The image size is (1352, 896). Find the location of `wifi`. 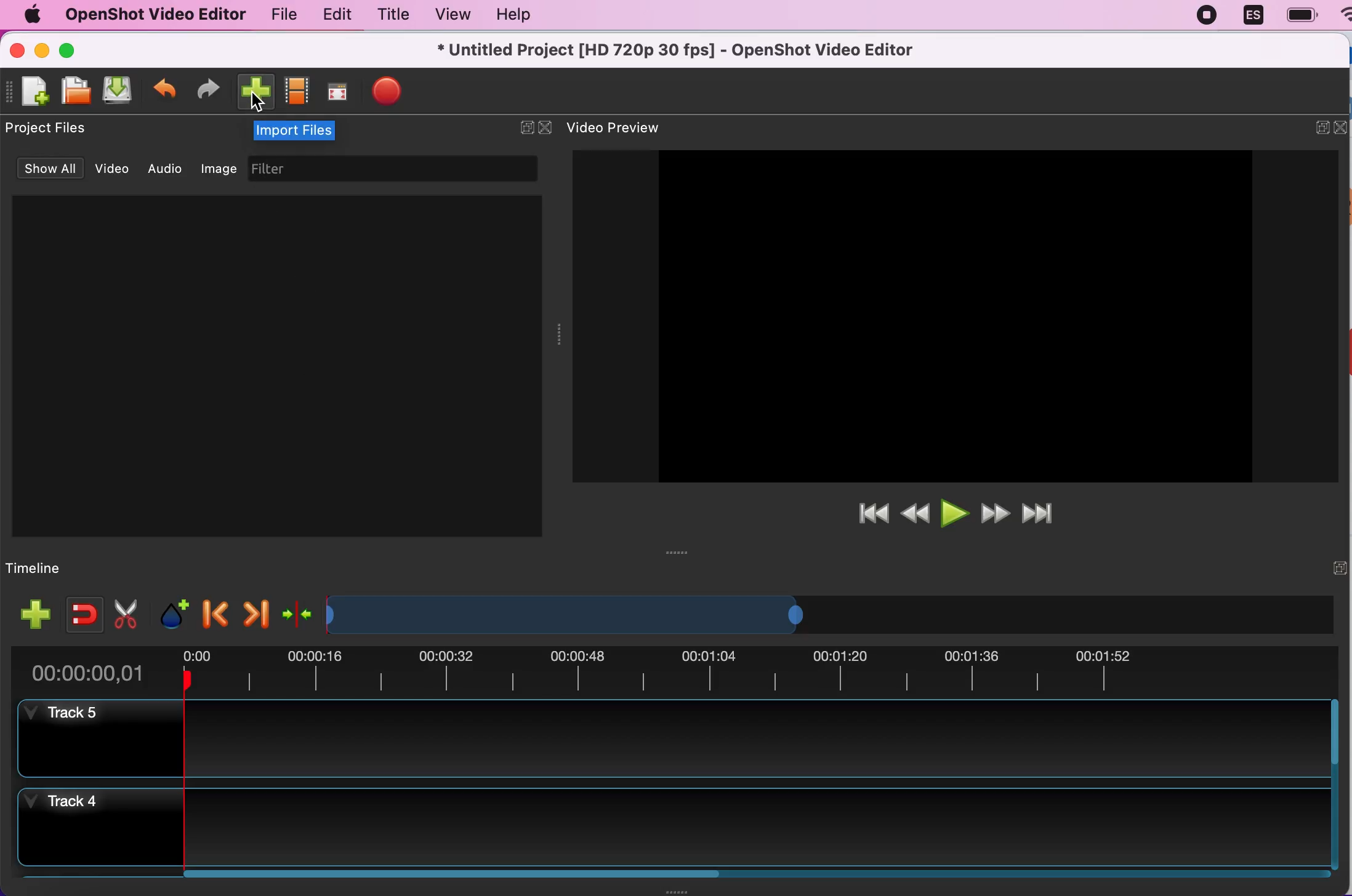

wifi is located at coordinates (1339, 16).